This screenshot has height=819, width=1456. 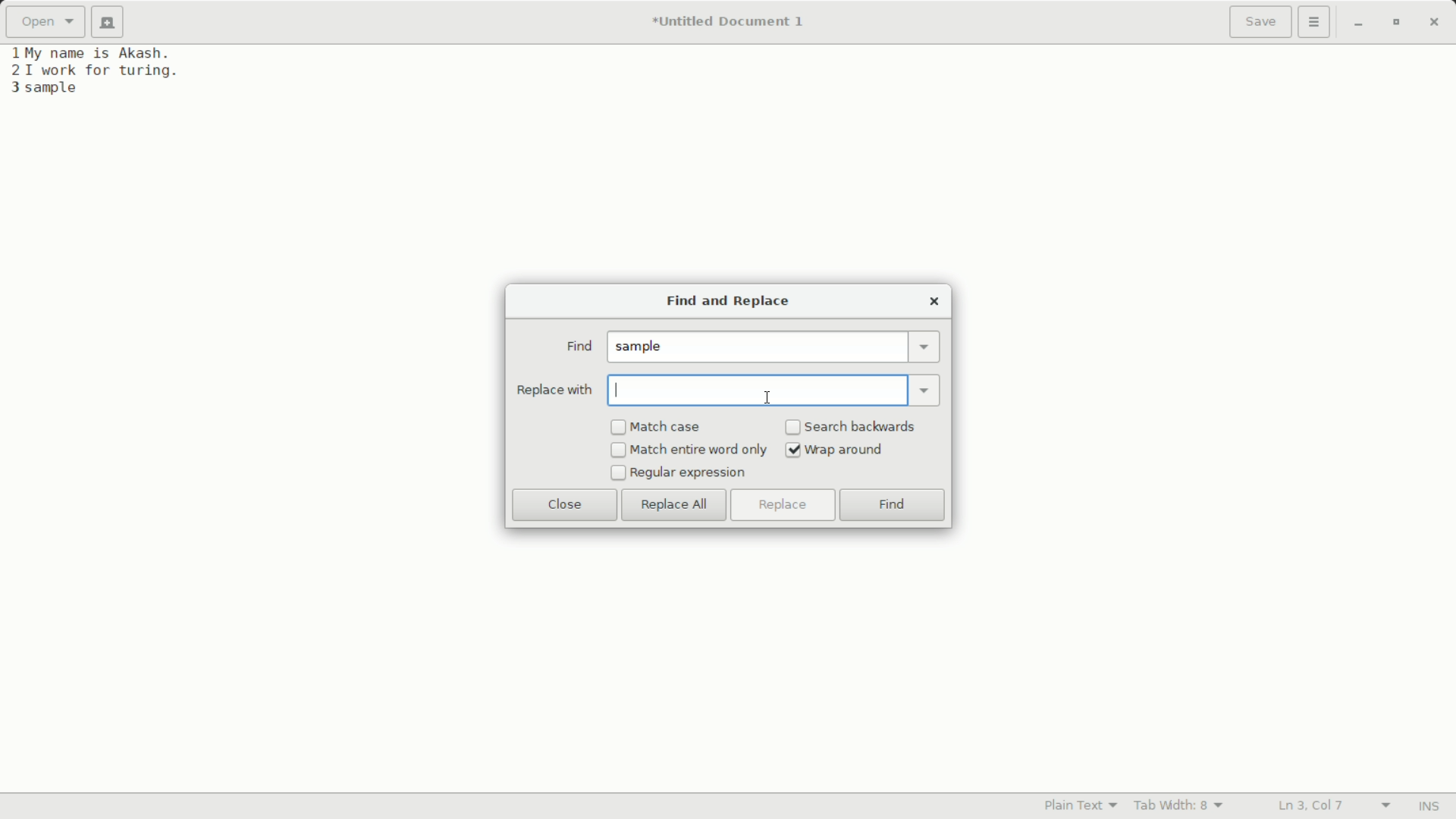 What do you see at coordinates (674, 506) in the screenshot?
I see `replace all` at bounding box center [674, 506].